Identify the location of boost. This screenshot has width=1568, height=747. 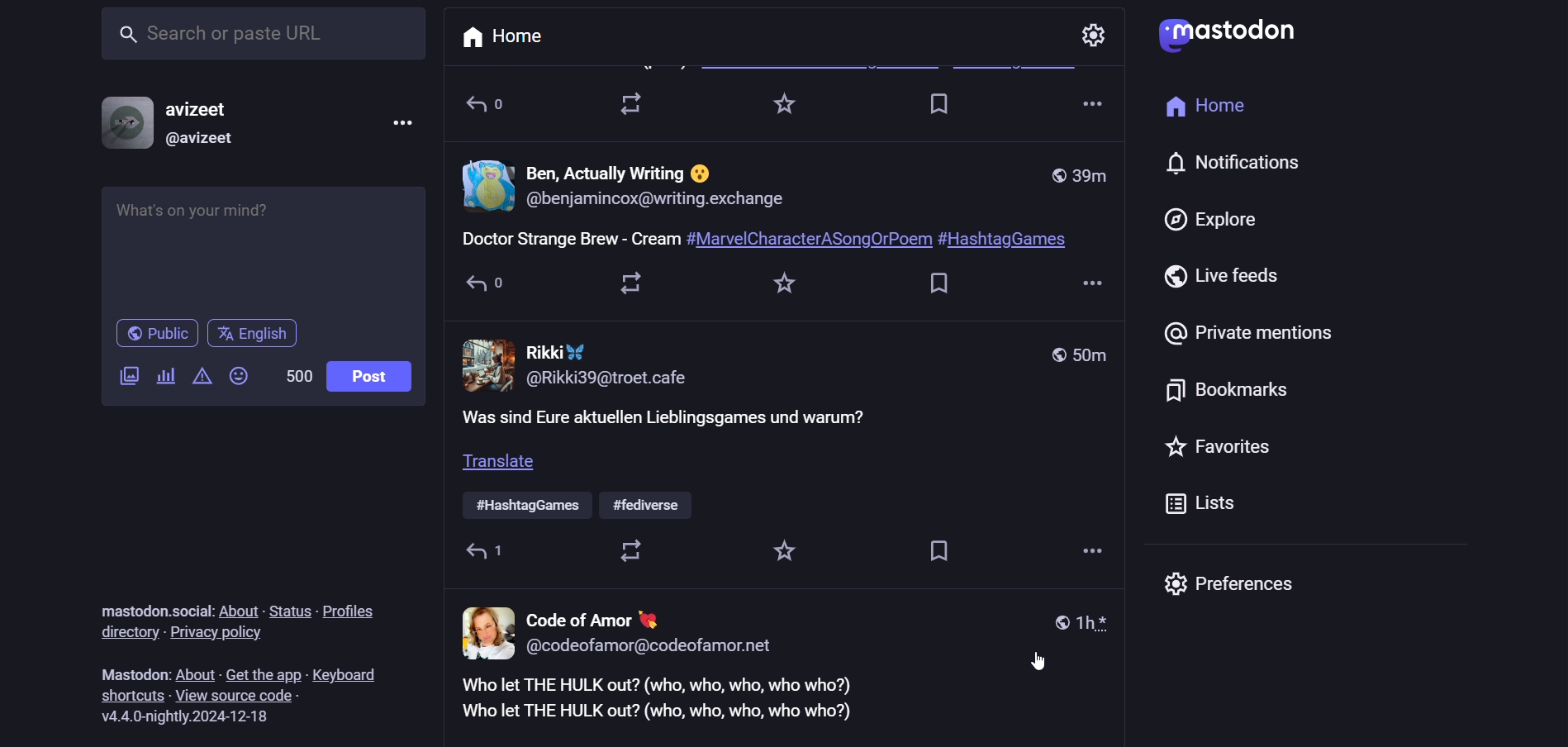
(635, 554).